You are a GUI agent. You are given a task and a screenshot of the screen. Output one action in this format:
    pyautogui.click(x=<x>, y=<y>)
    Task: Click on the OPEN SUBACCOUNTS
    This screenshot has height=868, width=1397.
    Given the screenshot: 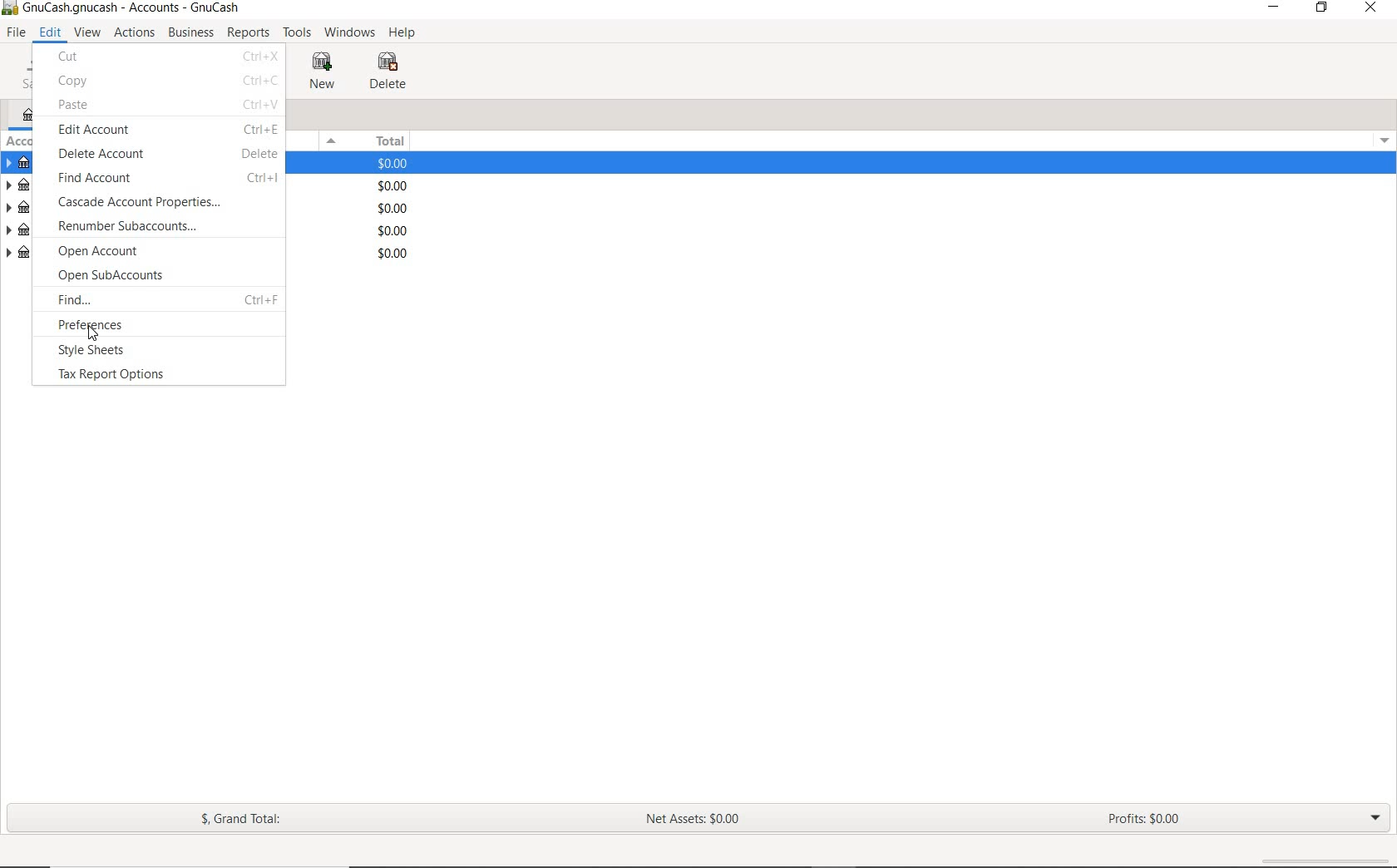 What is the action you would take?
    pyautogui.click(x=116, y=277)
    